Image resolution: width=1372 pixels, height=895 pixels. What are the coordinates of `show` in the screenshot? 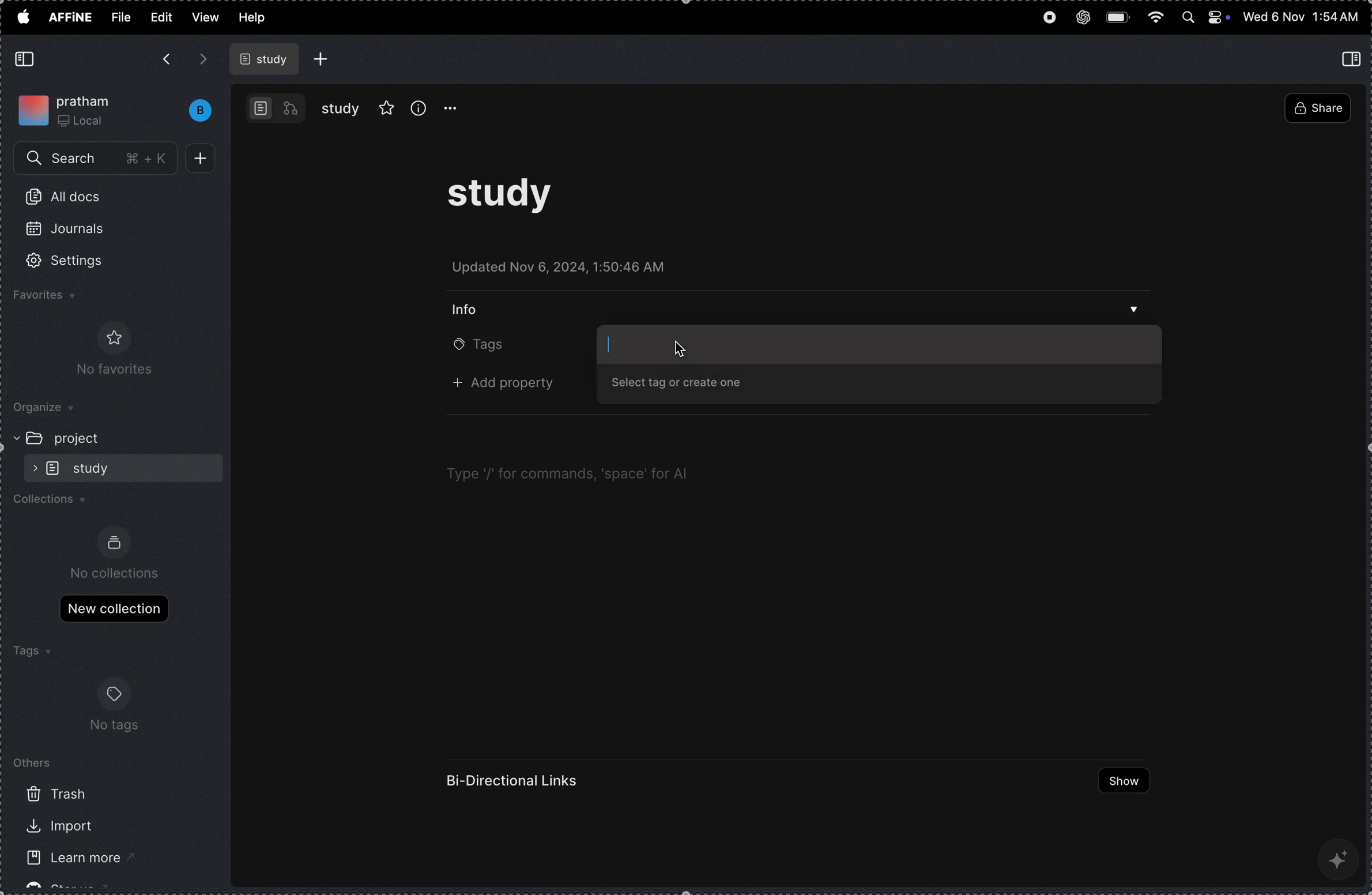 It's located at (1118, 781).